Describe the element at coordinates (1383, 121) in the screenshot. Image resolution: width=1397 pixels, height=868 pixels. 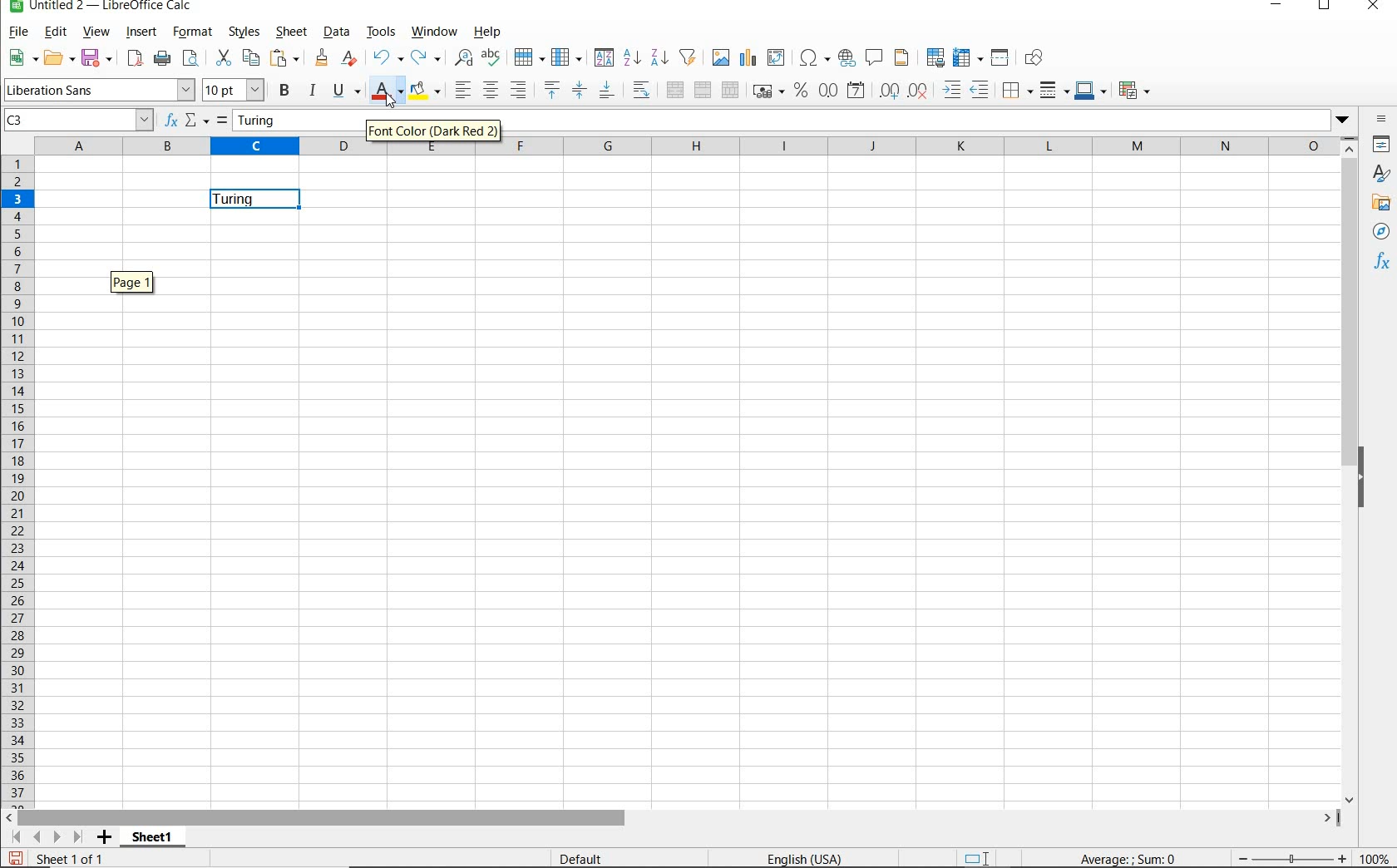
I see `SIDEBAR SETTINGS` at that location.